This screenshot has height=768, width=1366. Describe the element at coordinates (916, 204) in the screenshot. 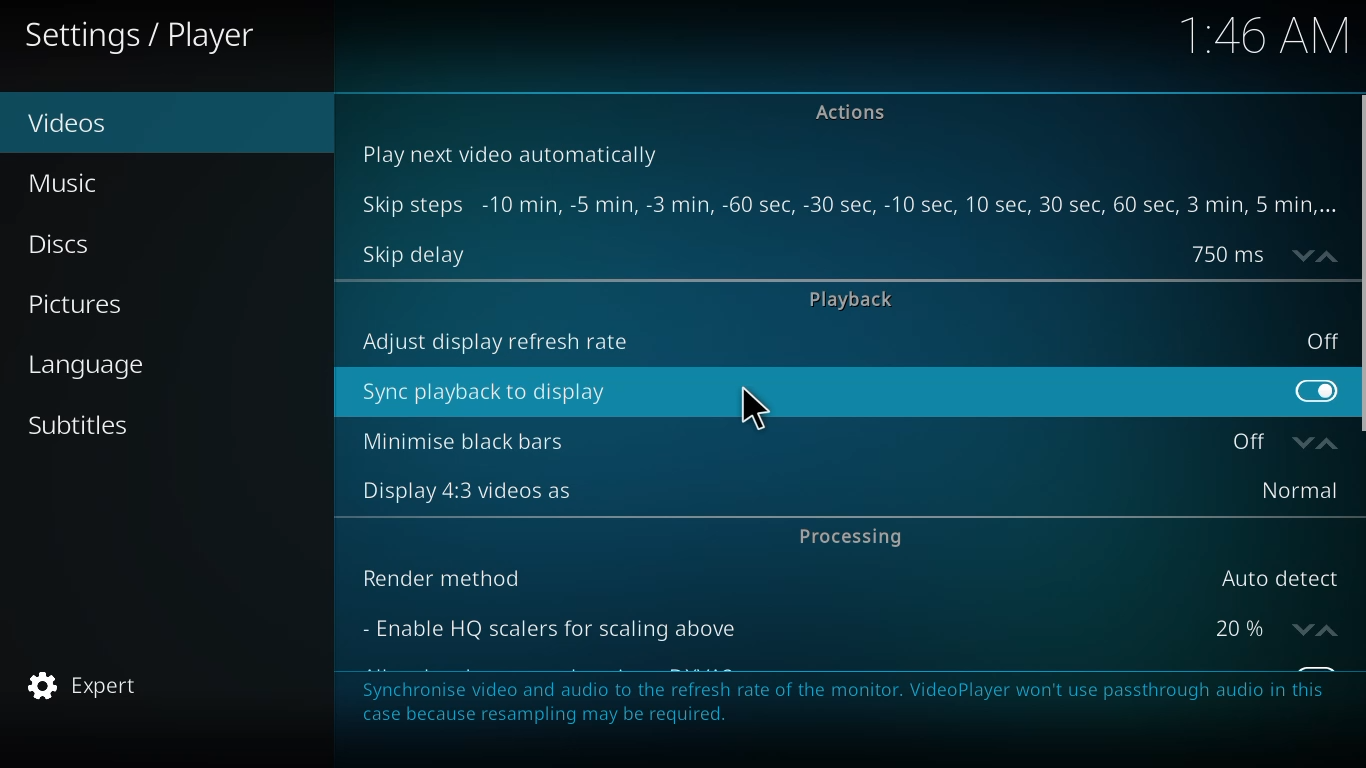

I see `steps` at that location.